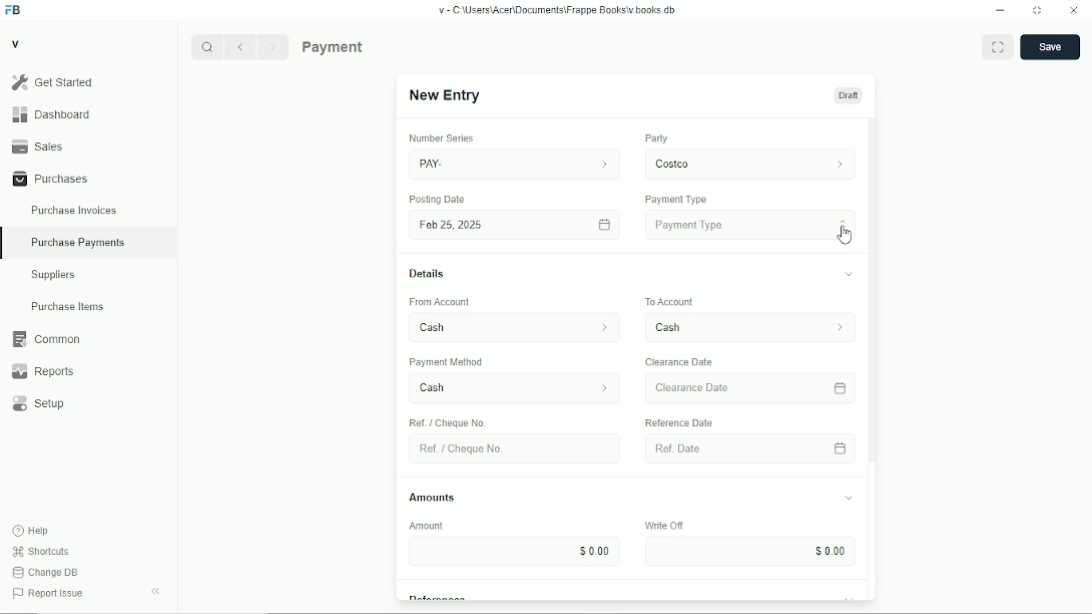  What do you see at coordinates (433, 493) in the screenshot?
I see `Amounts` at bounding box center [433, 493].